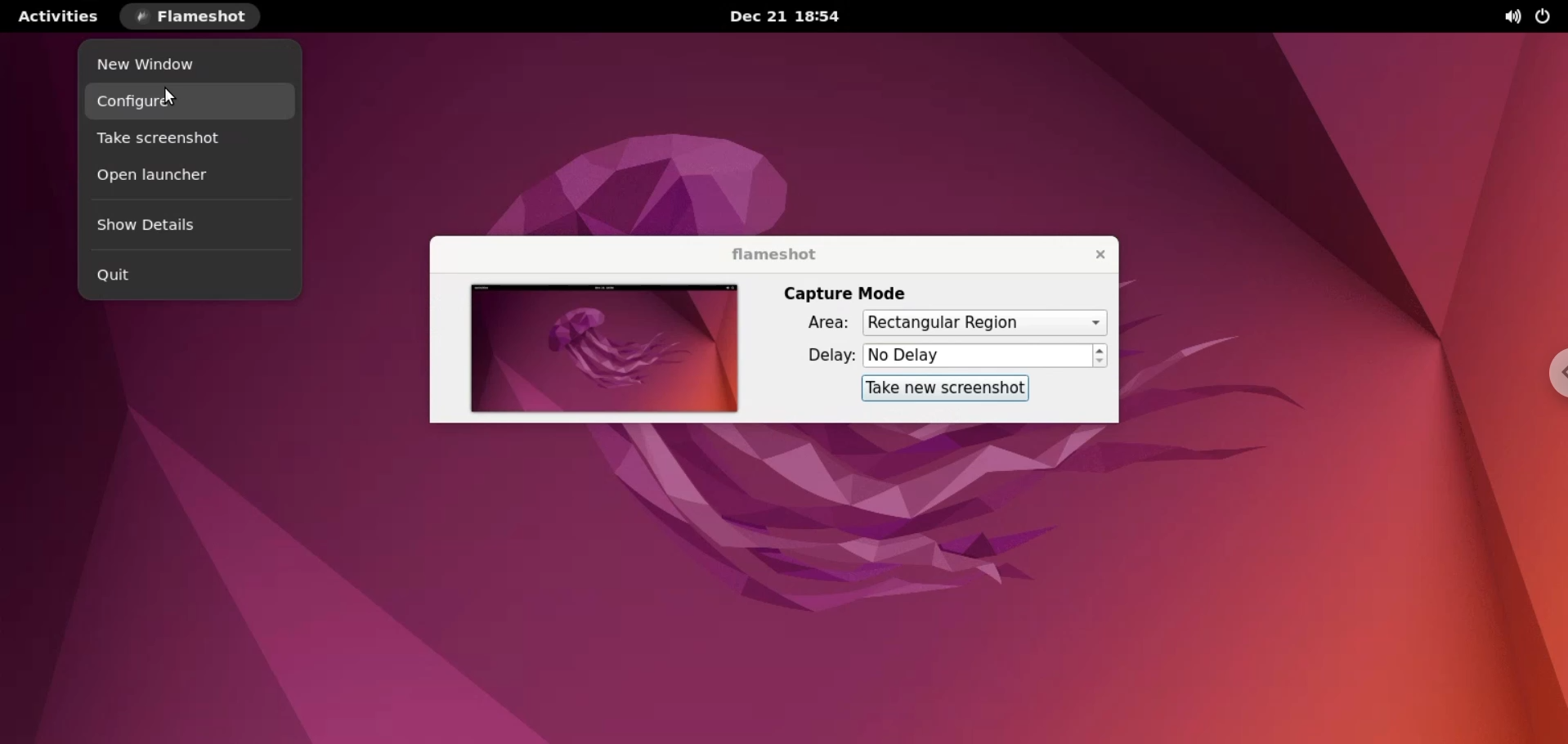 The width and height of the screenshot is (1568, 744). Describe the element at coordinates (56, 16) in the screenshot. I see `activities ` at that location.